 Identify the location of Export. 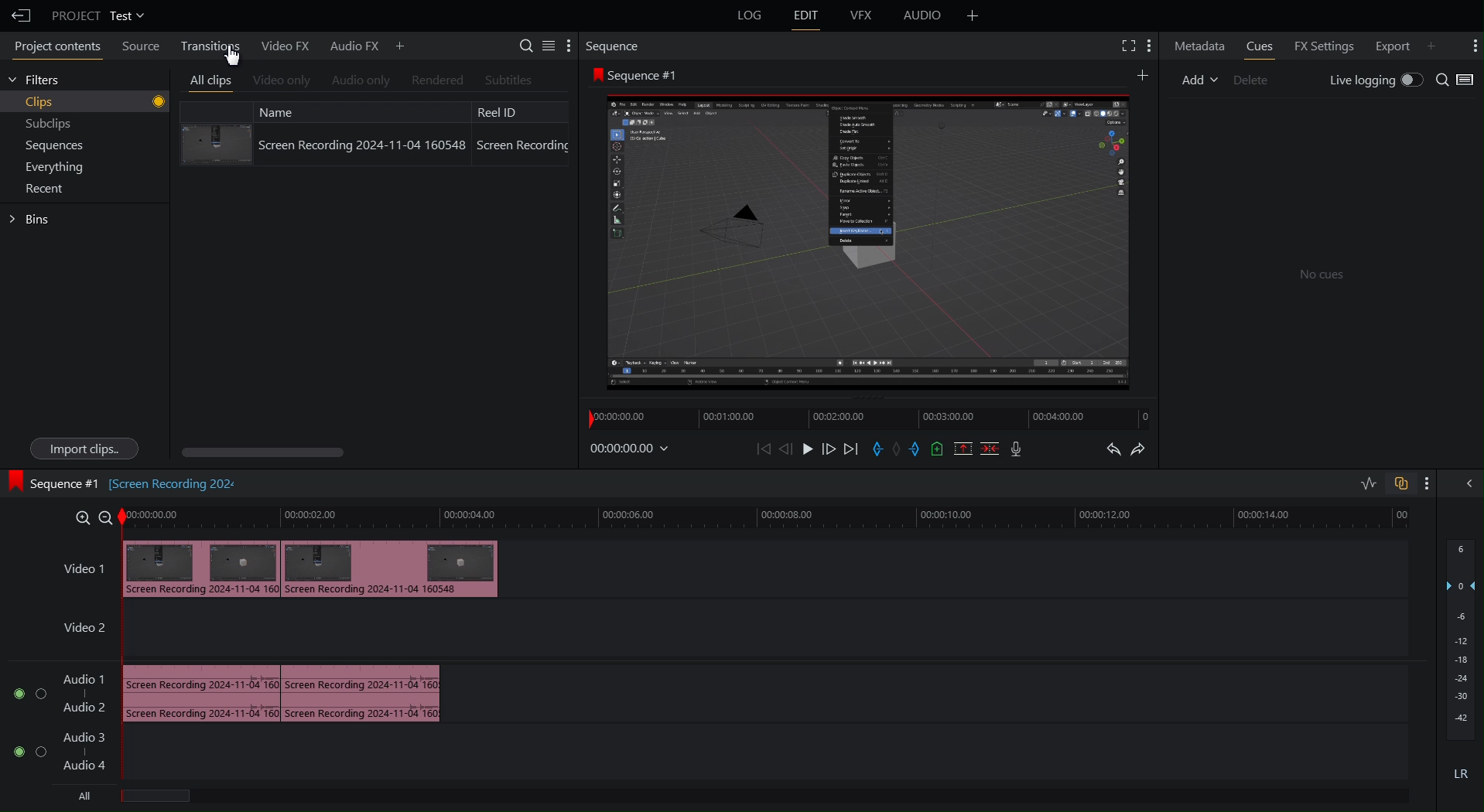
(1393, 45).